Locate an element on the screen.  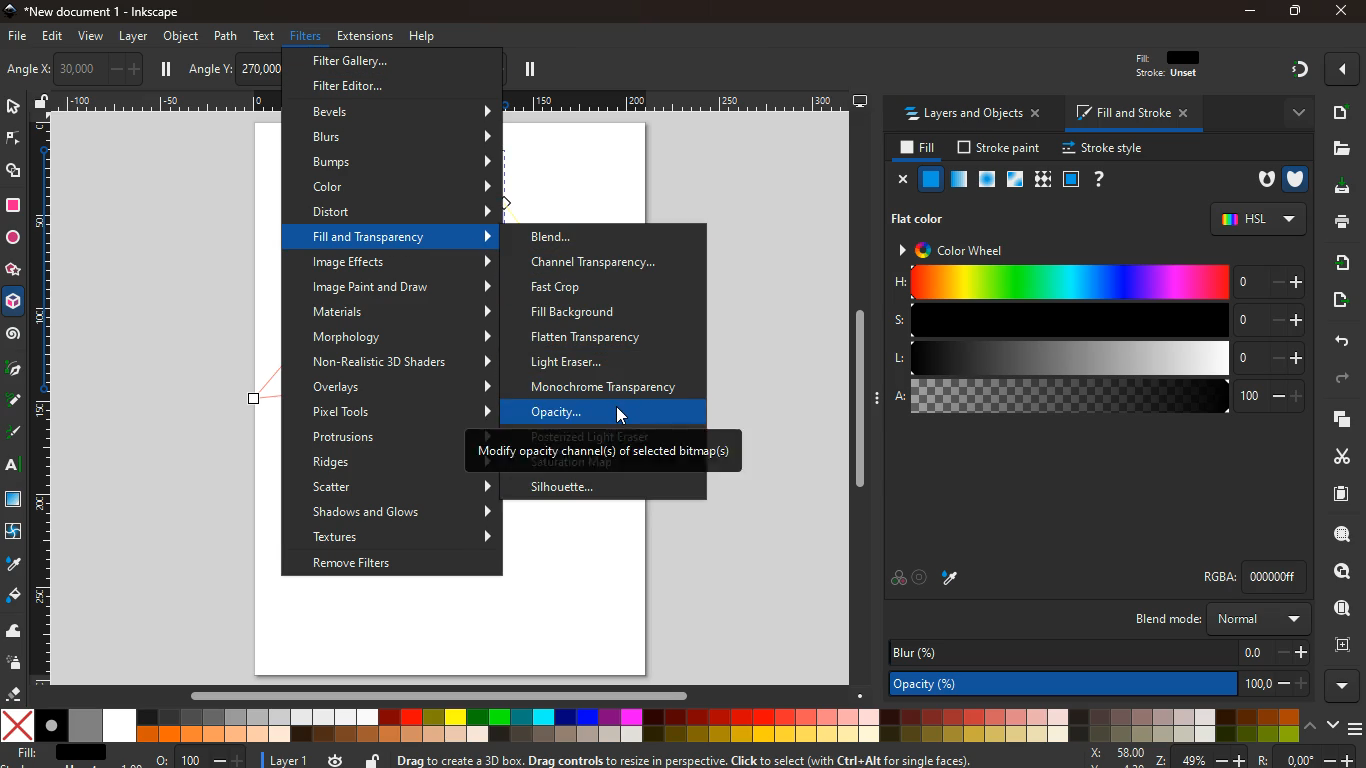
wave is located at coordinates (16, 633).